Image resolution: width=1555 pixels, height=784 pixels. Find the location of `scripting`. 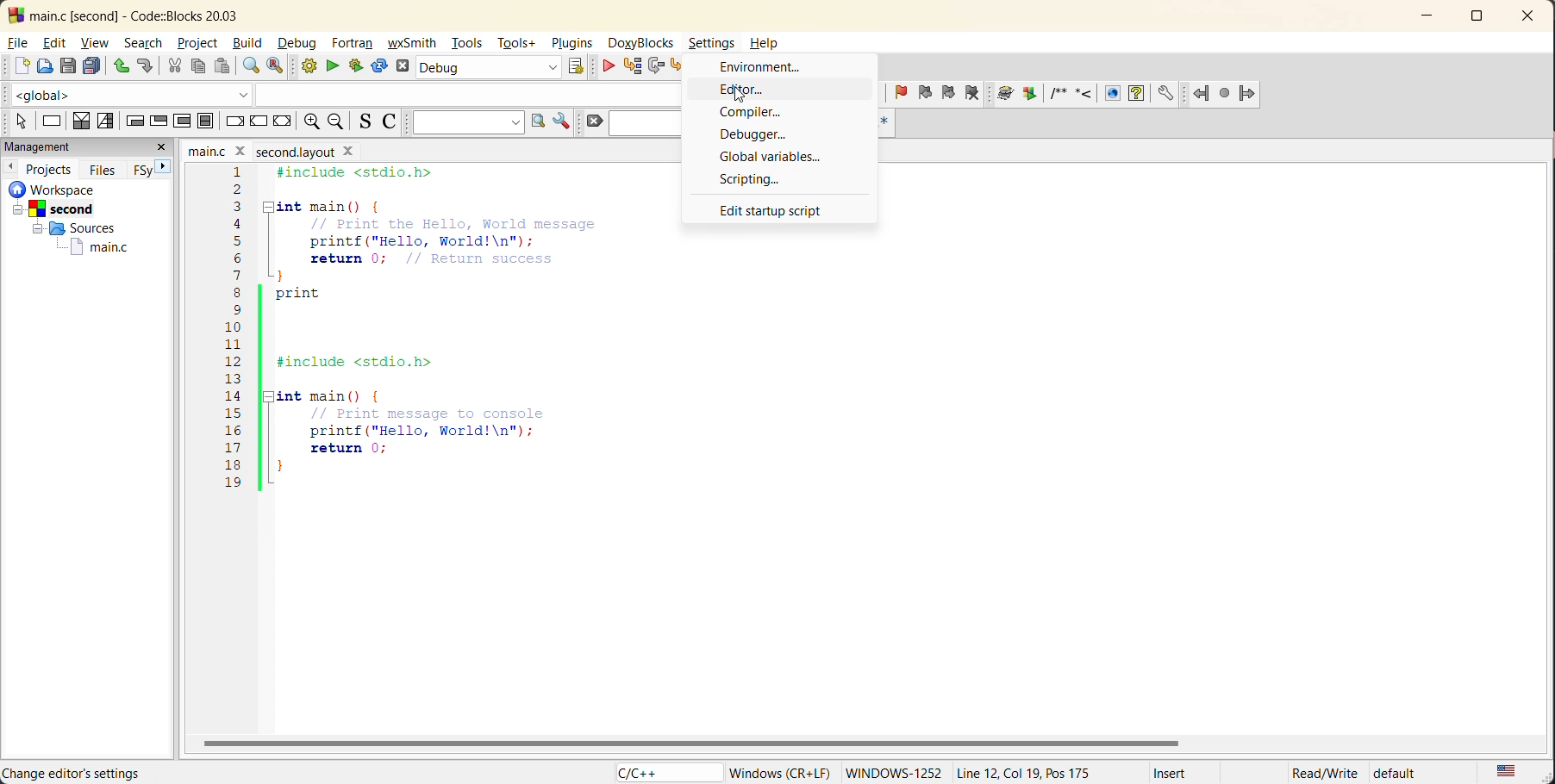

scripting is located at coordinates (758, 181).